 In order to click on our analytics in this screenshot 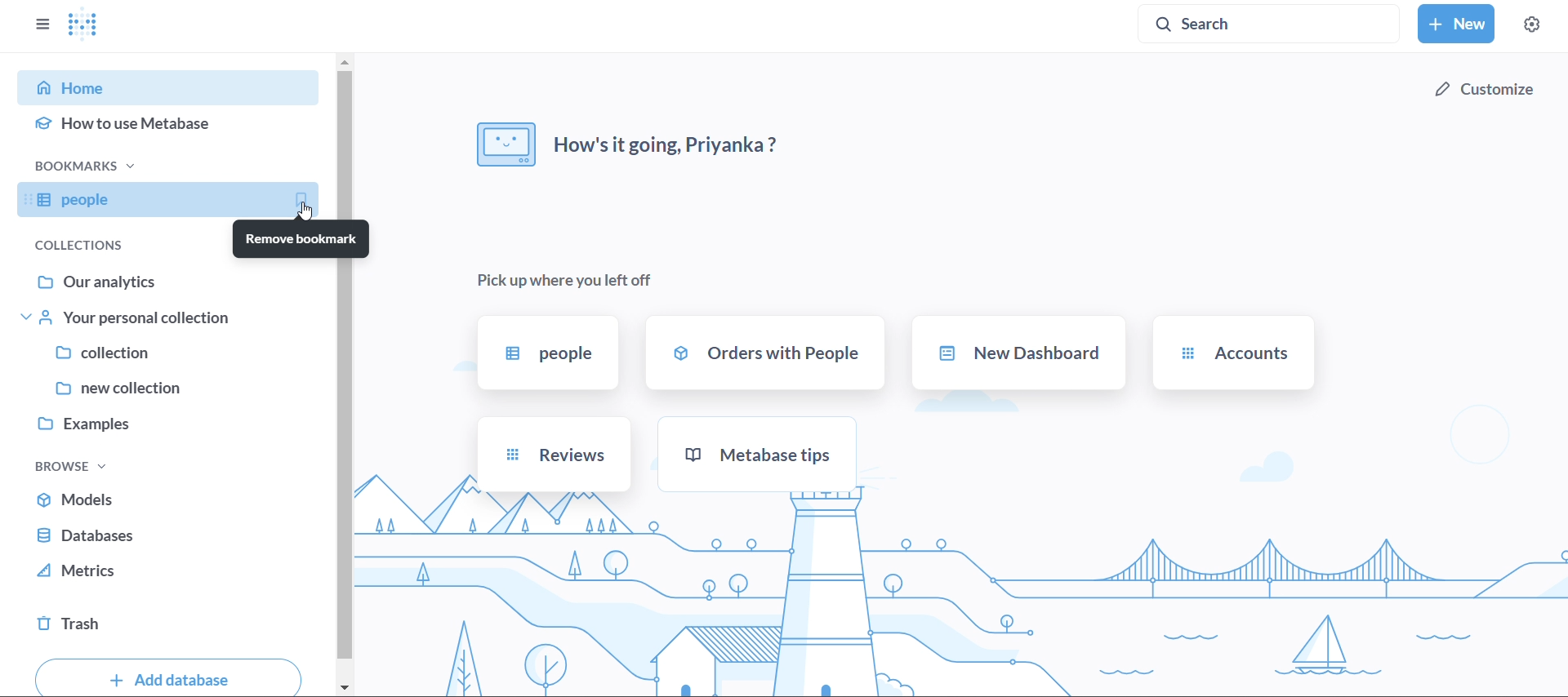, I will do `click(169, 280)`.